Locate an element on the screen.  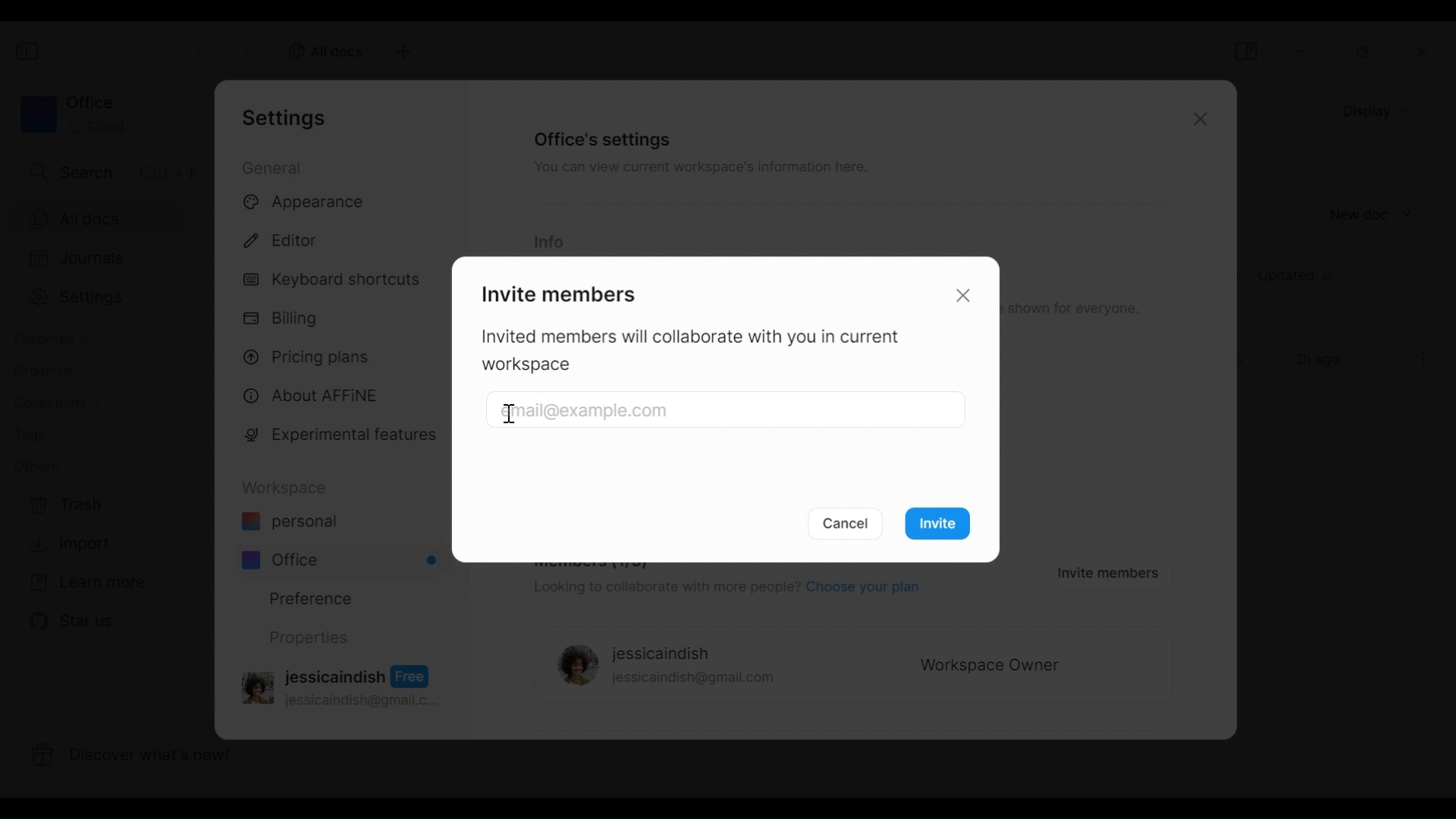
restore is located at coordinates (1364, 52).